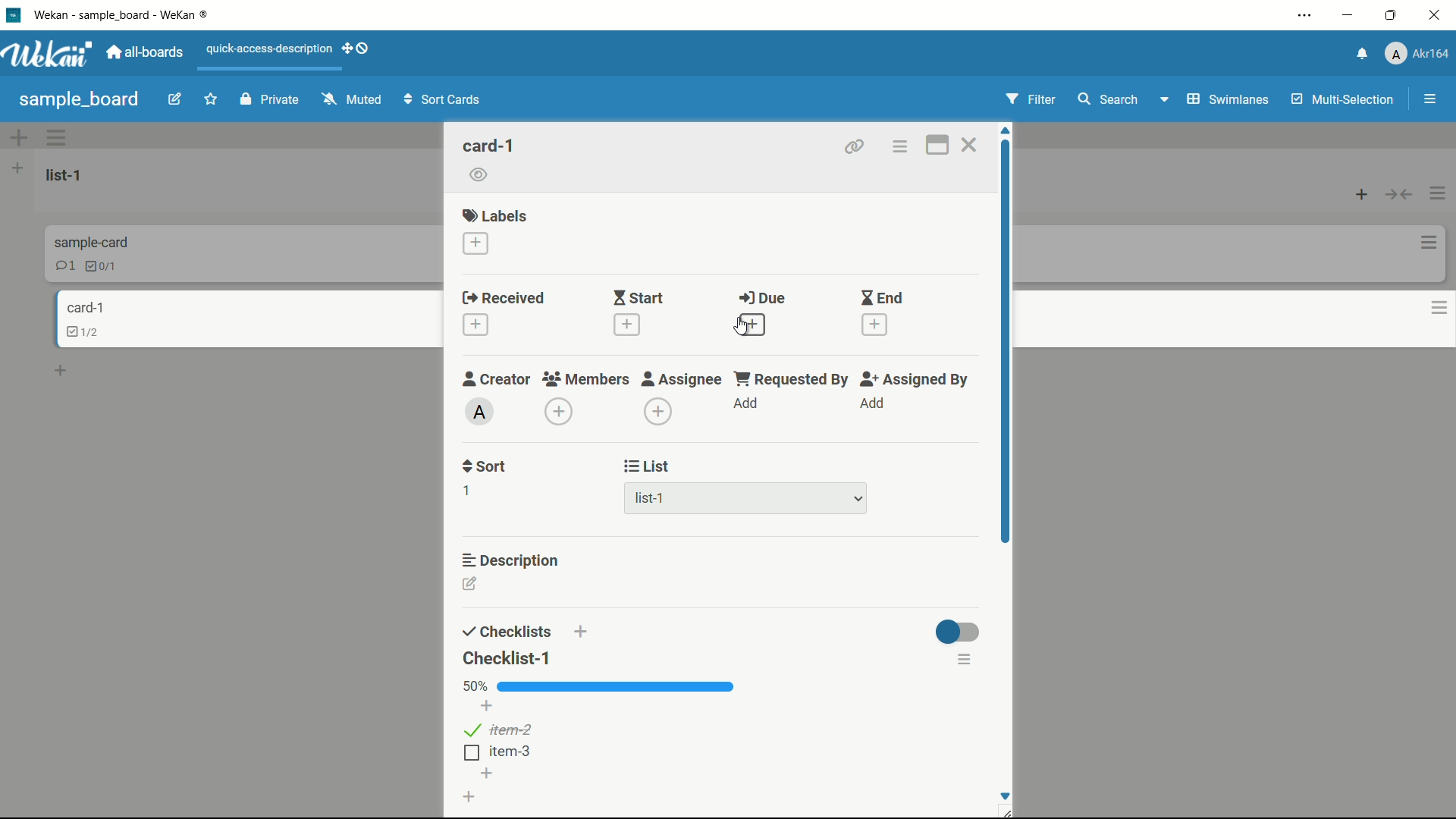 This screenshot has width=1456, height=819. I want to click on requested by, so click(793, 381).